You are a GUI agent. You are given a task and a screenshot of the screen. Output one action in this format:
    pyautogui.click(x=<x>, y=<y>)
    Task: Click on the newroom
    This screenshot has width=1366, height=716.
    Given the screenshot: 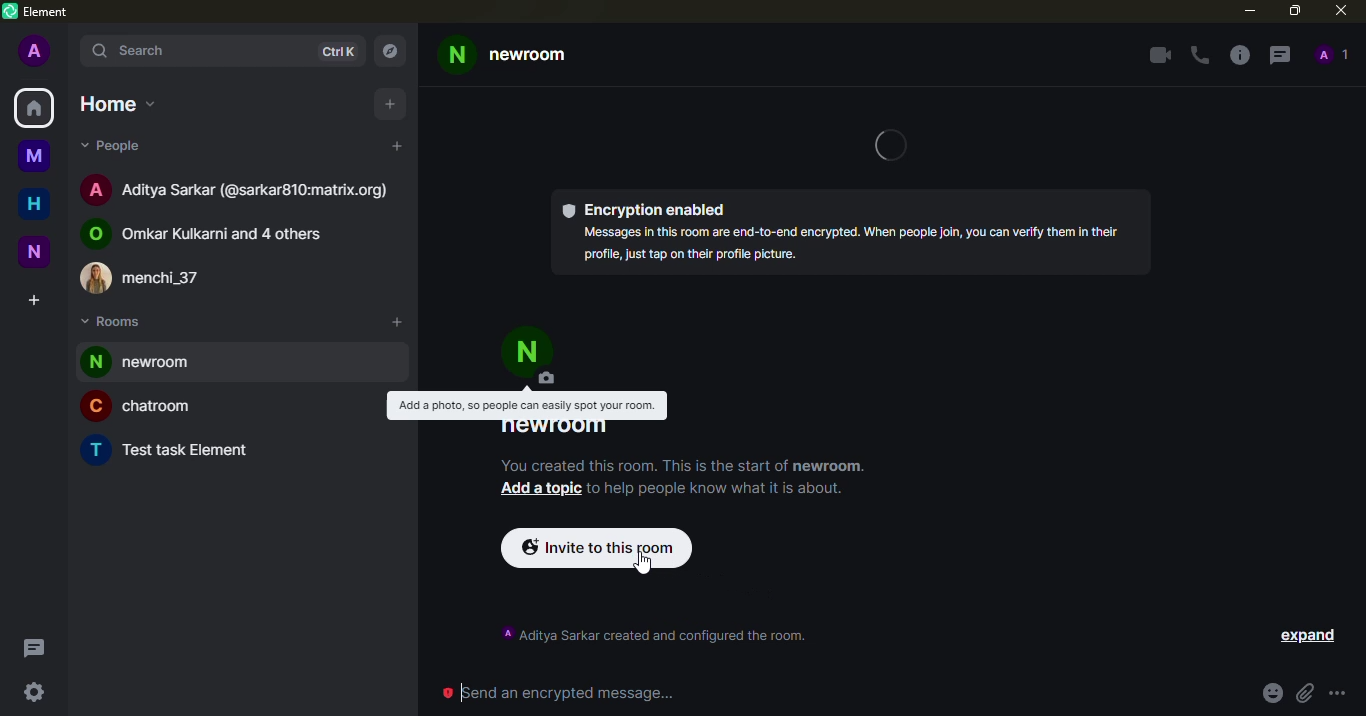 What is the action you would take?
    pyautogui.click(x=504, y=53)
    